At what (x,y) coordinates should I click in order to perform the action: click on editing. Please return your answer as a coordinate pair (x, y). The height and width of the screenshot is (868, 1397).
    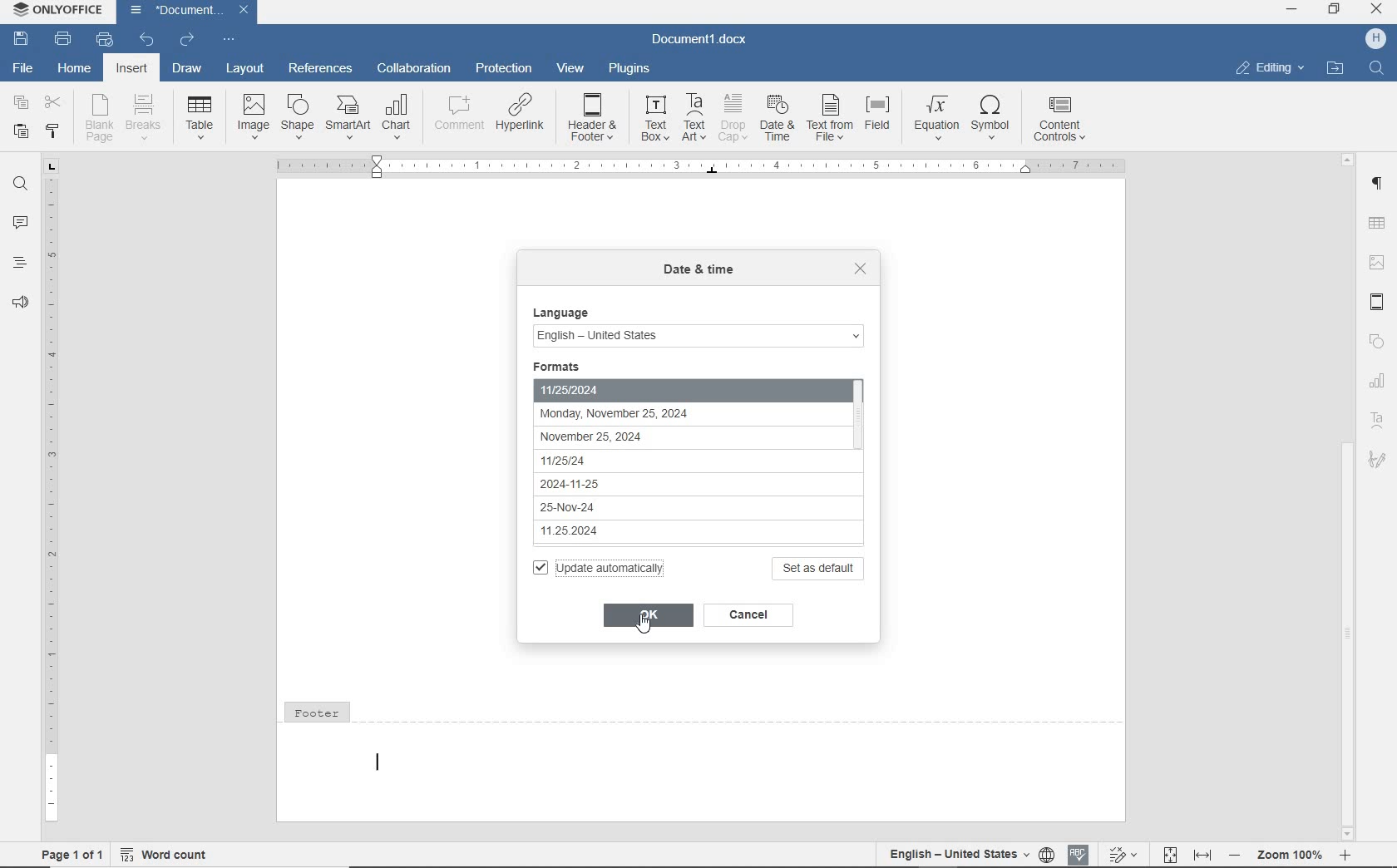
    Looking at the image, I should click on (1271, 69).